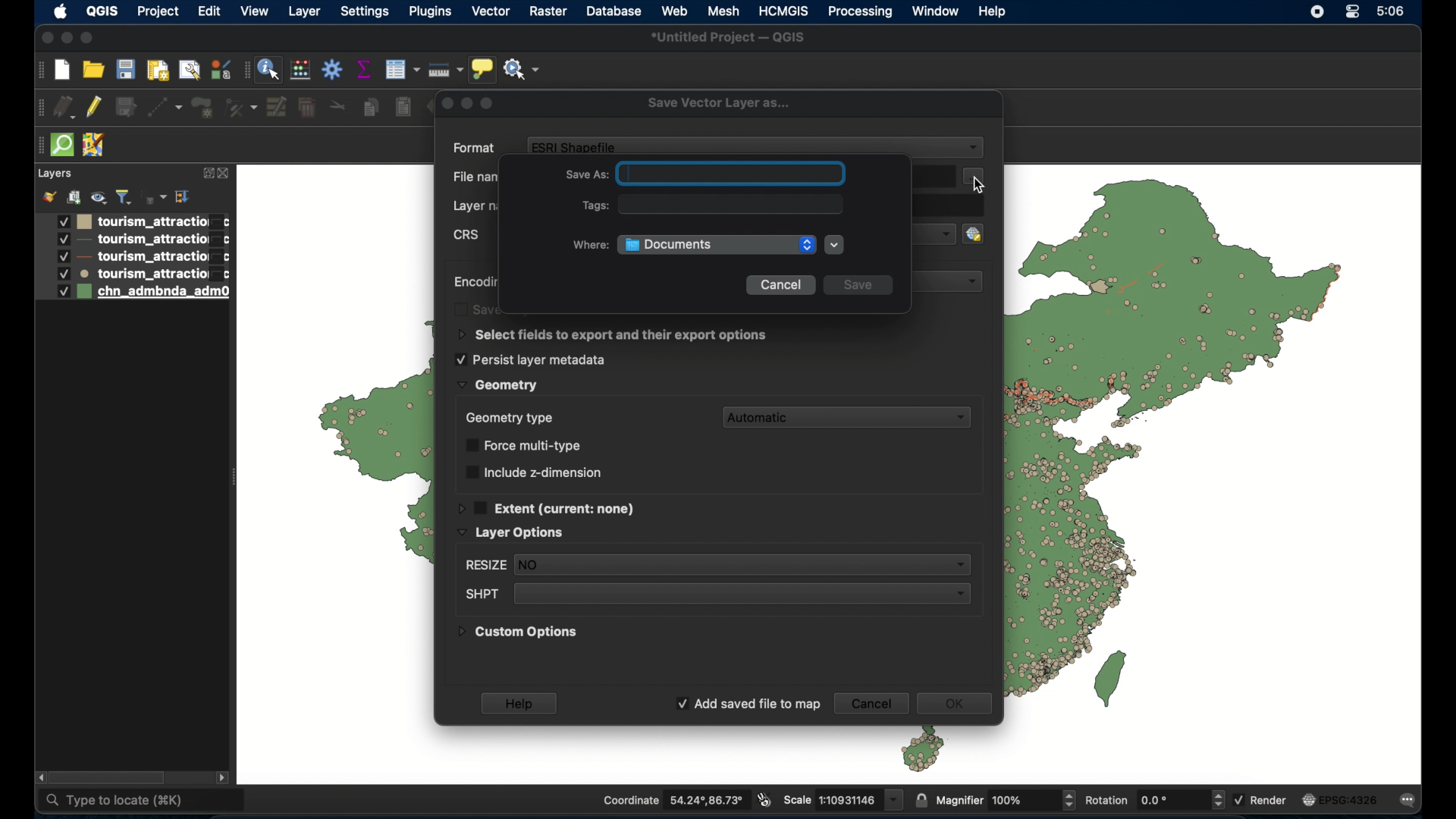  I want to click on filename, so click(477, 177).